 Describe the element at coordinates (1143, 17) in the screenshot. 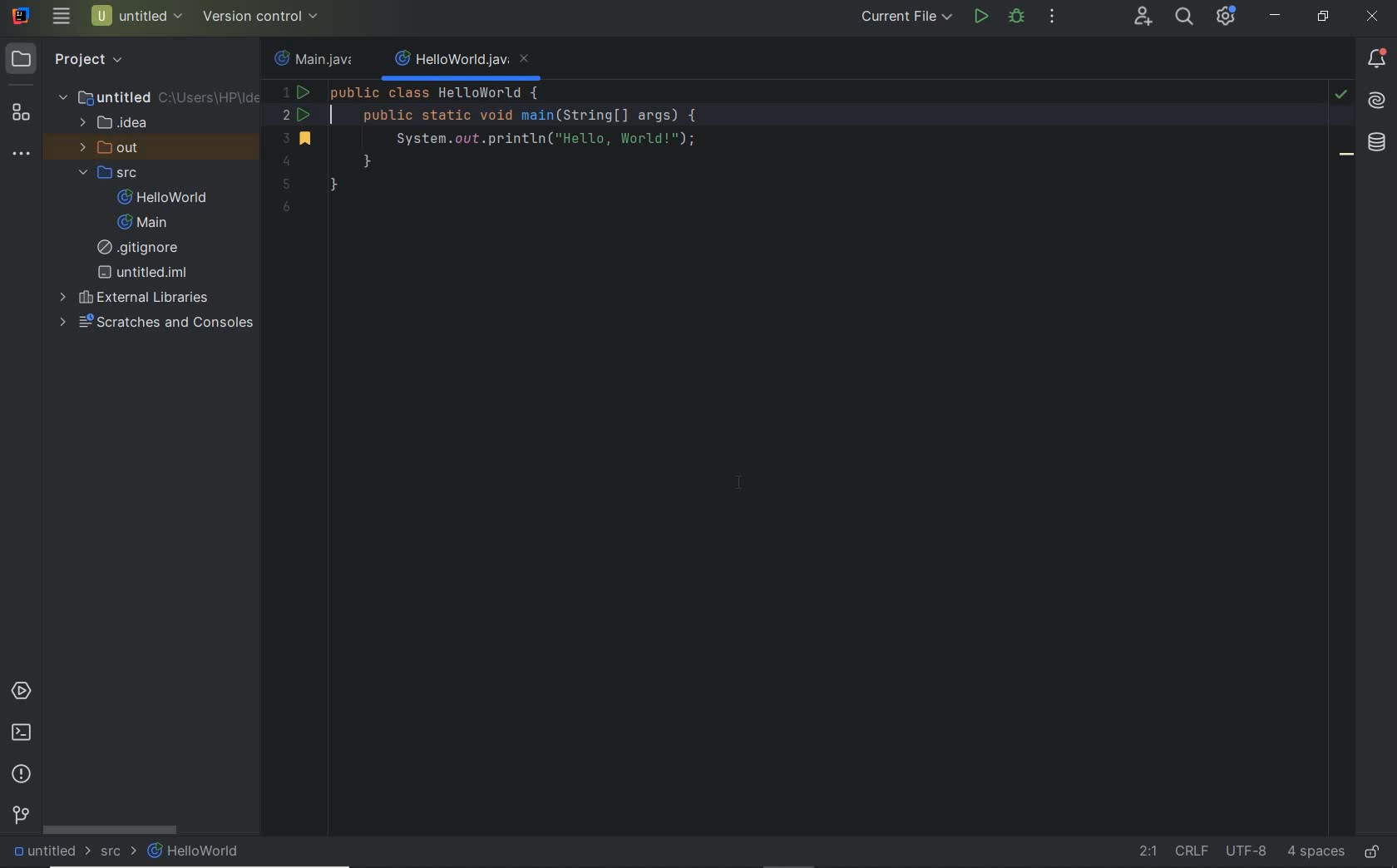

I see `code with me` at that location.